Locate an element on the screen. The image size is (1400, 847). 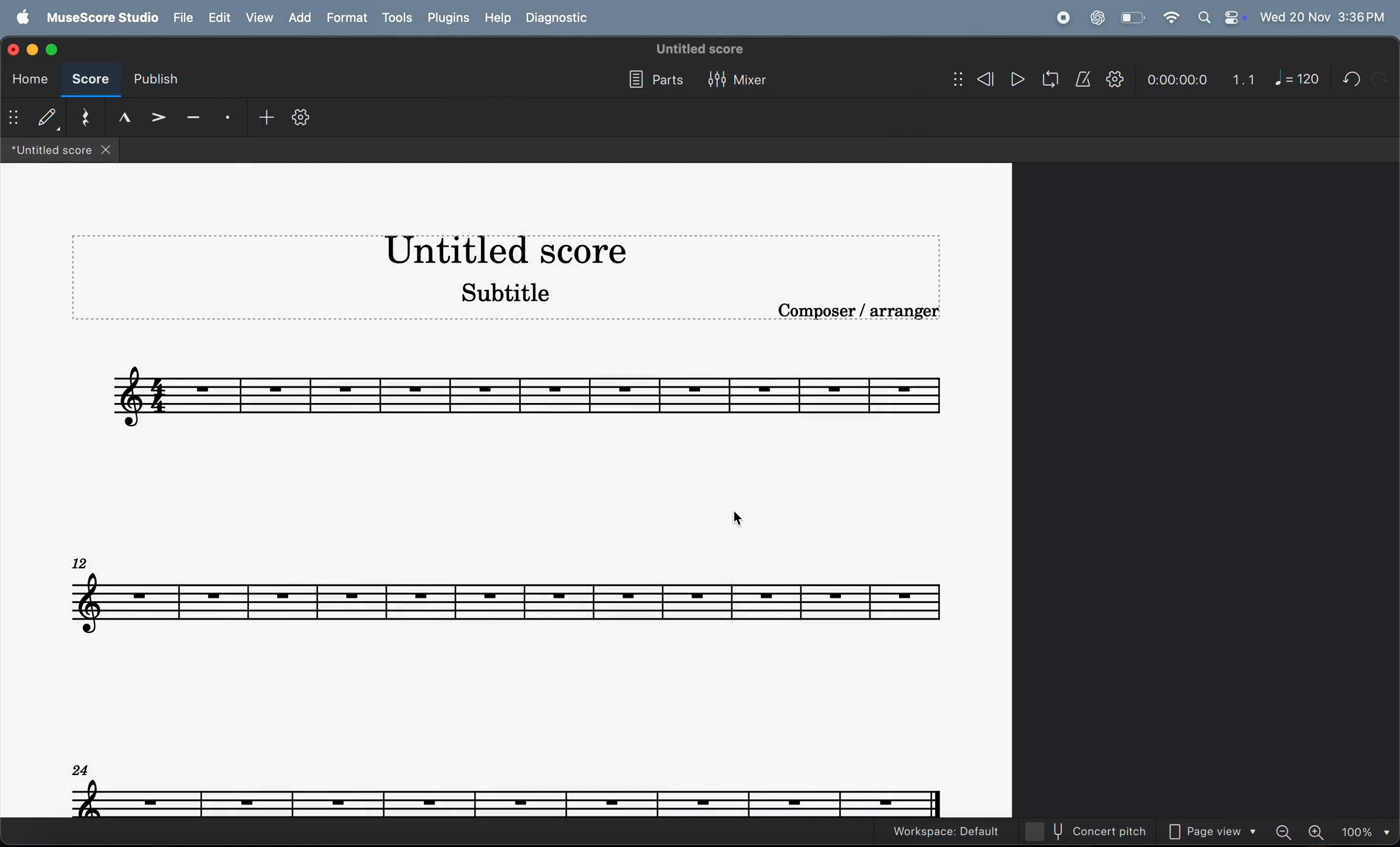
record is located at coordinates (1062, 18).